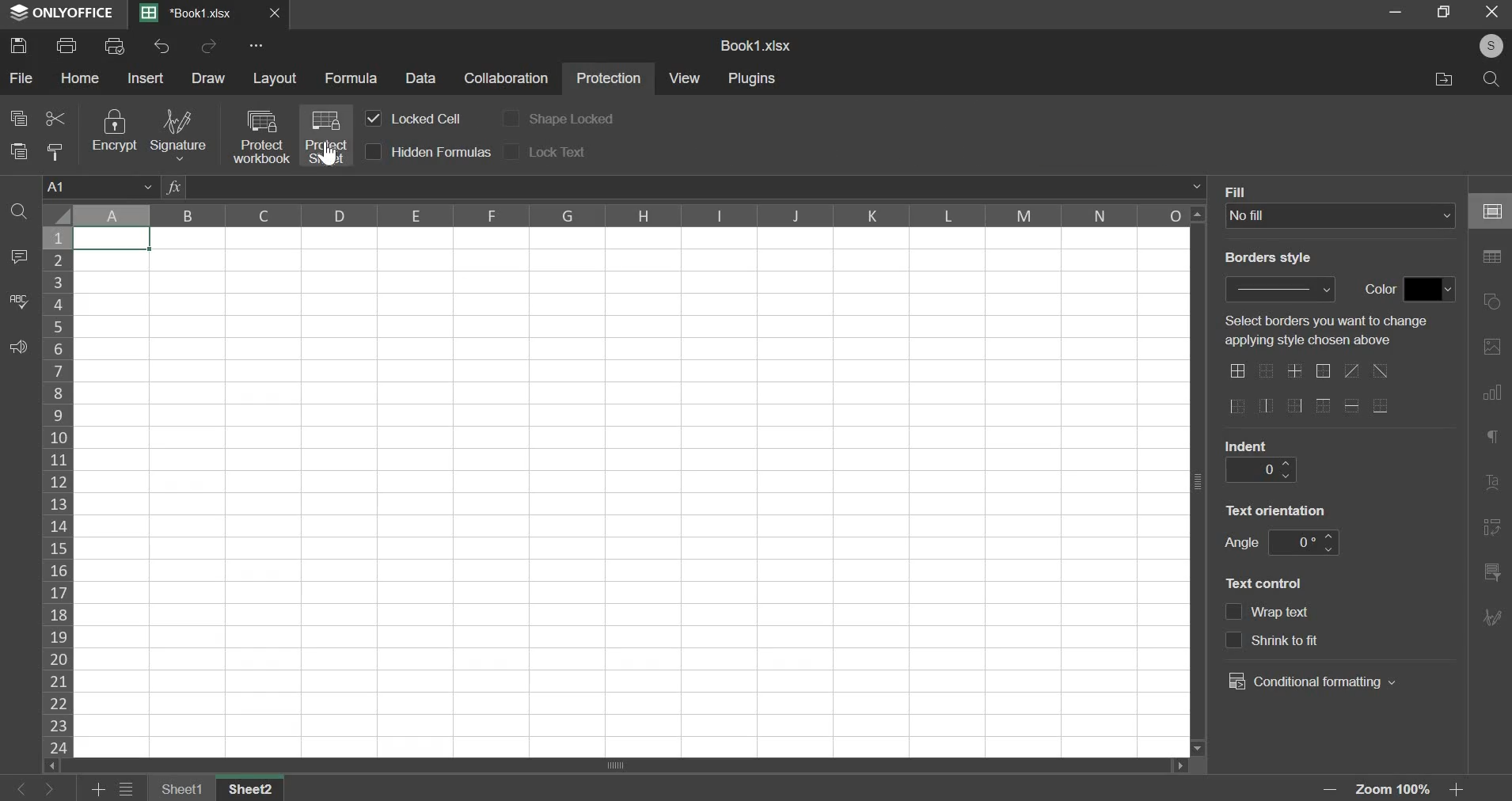  I want to click on right side bar, so click(1495, 436).